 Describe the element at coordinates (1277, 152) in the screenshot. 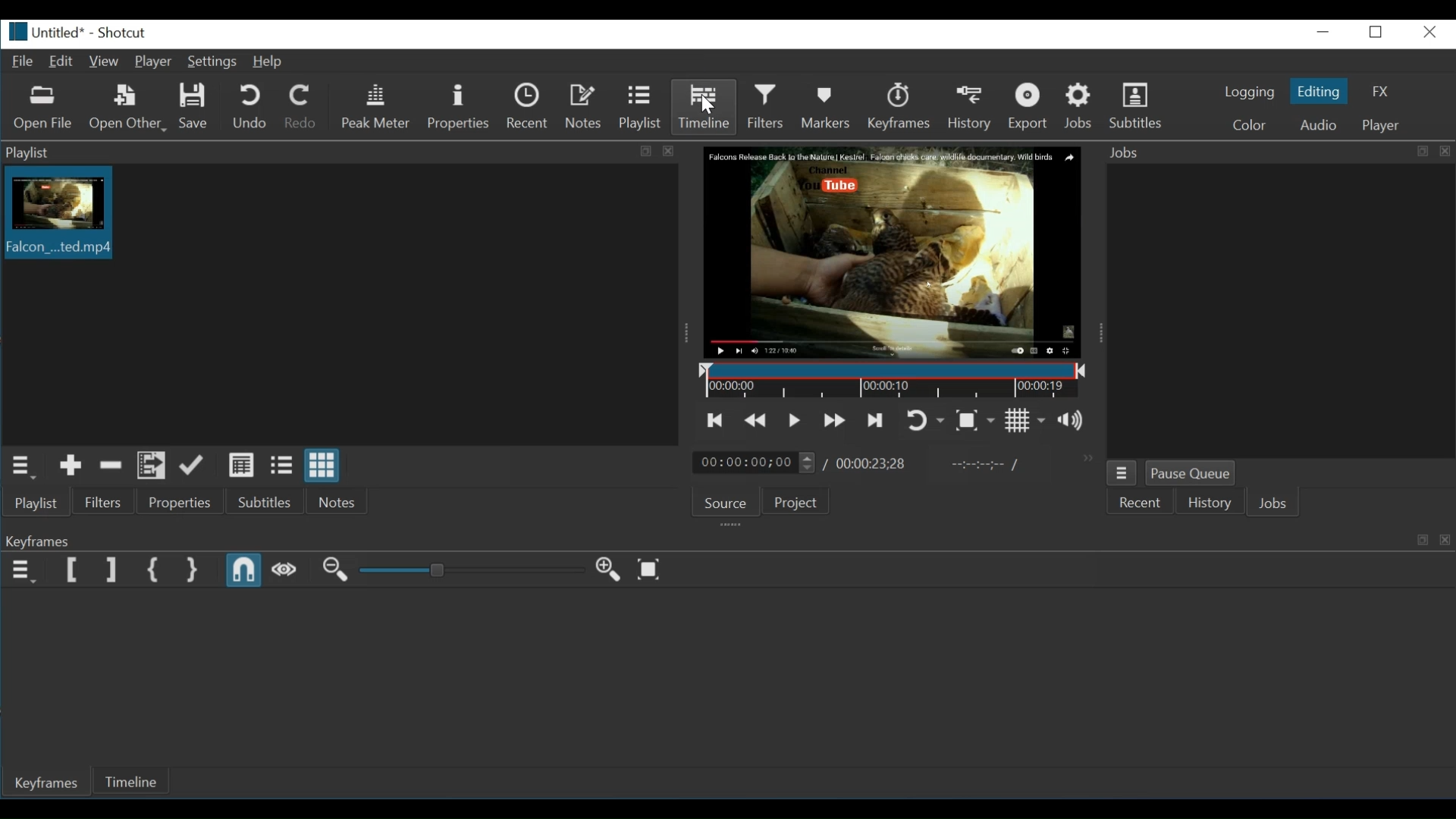

I see `Jobs Panel` at that location.